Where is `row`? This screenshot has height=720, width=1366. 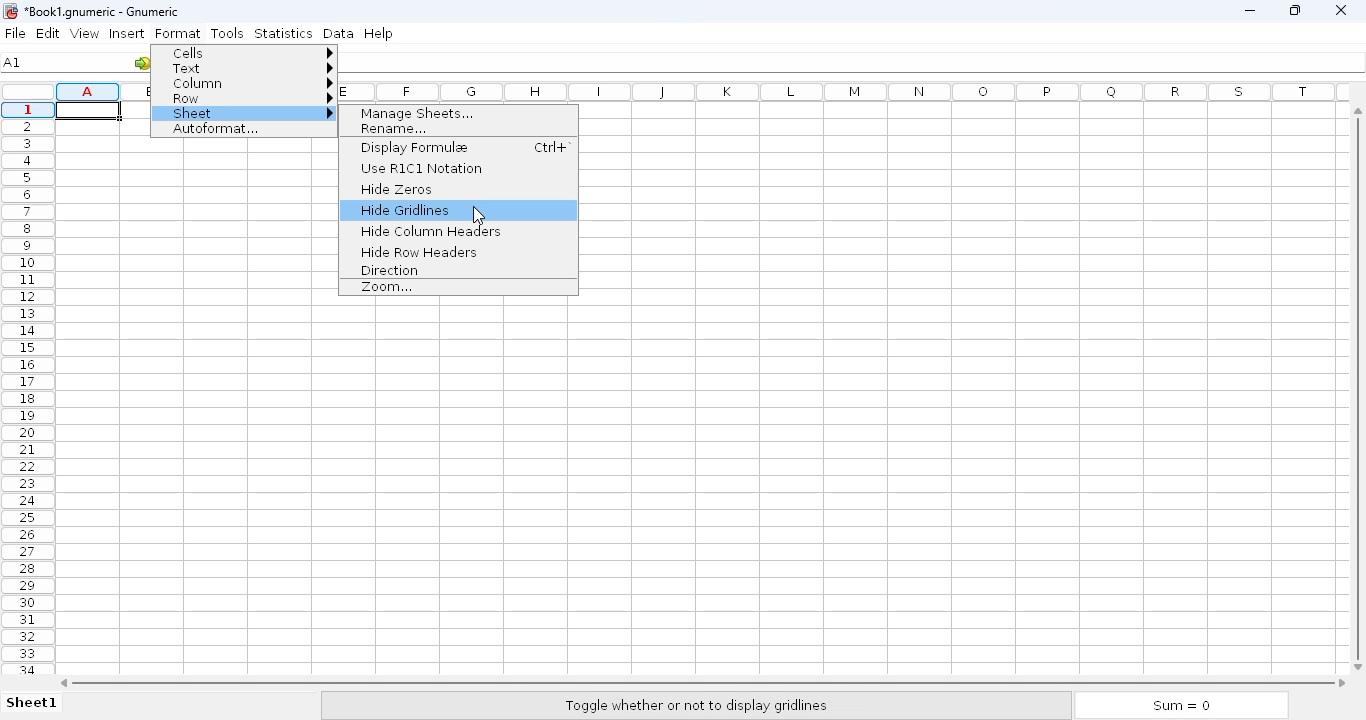 row is located at coordinates (248, 99).